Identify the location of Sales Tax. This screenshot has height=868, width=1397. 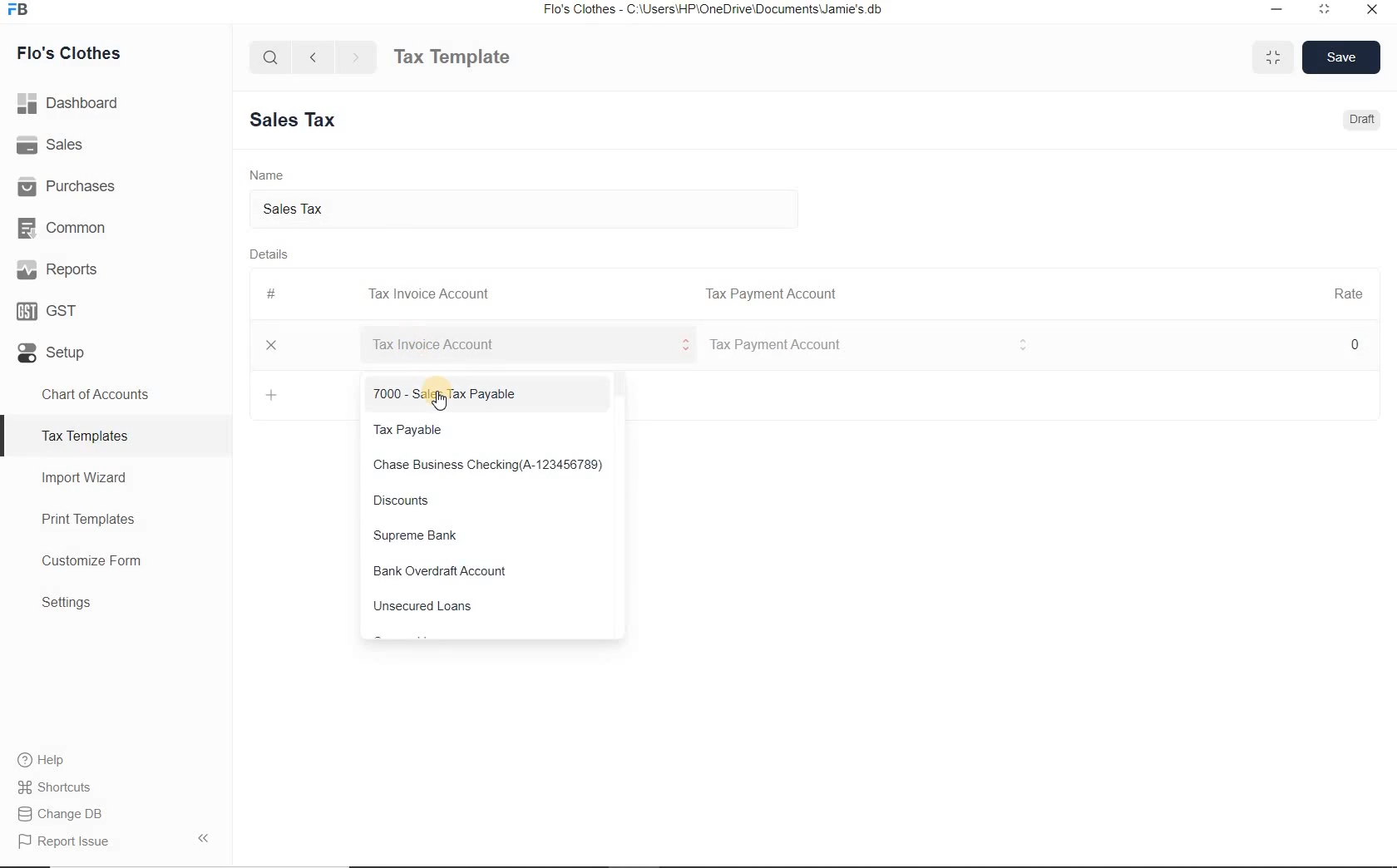
(536, 210).